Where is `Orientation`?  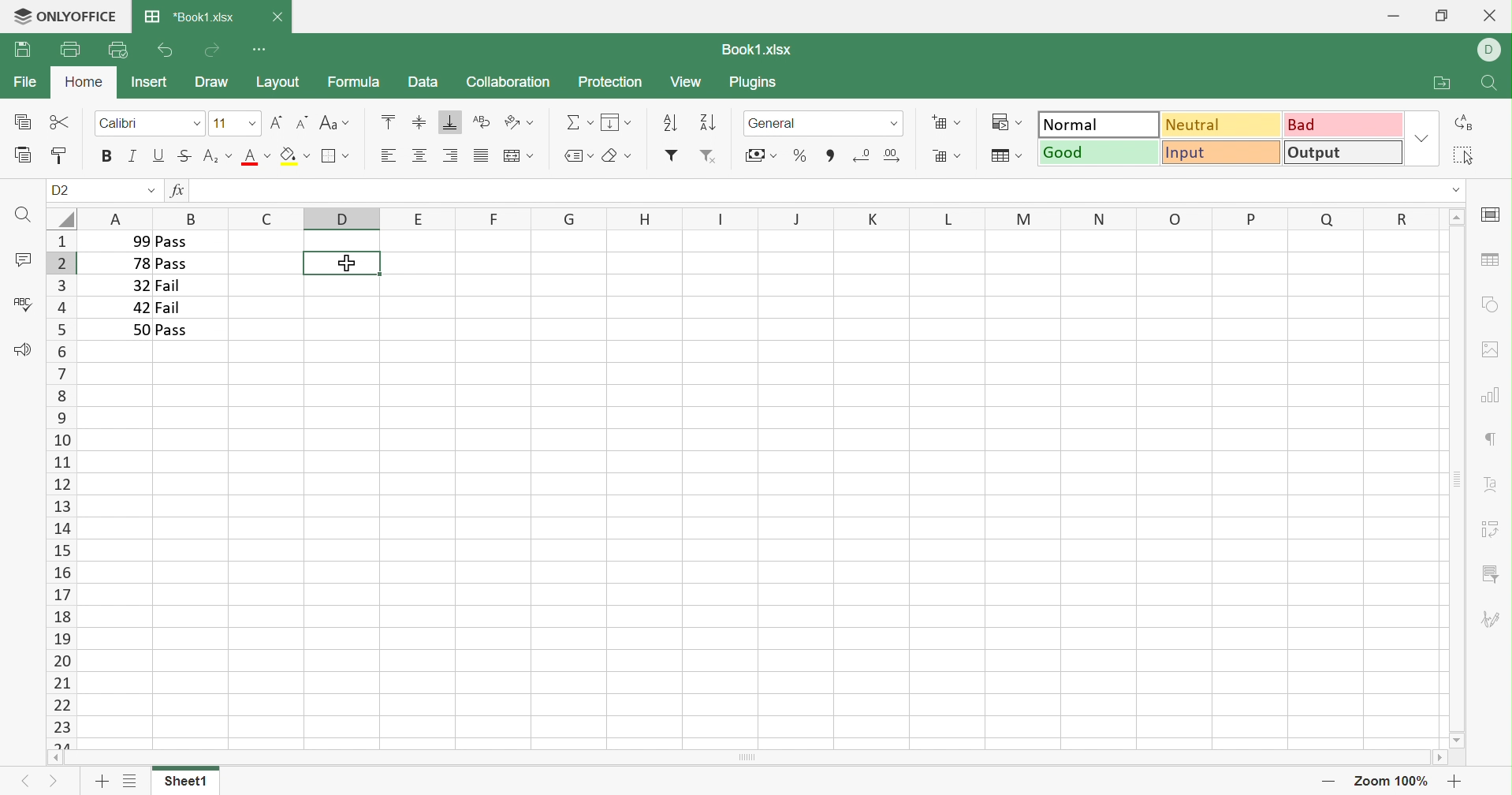 Orientation is located at coordinates (518, 123).